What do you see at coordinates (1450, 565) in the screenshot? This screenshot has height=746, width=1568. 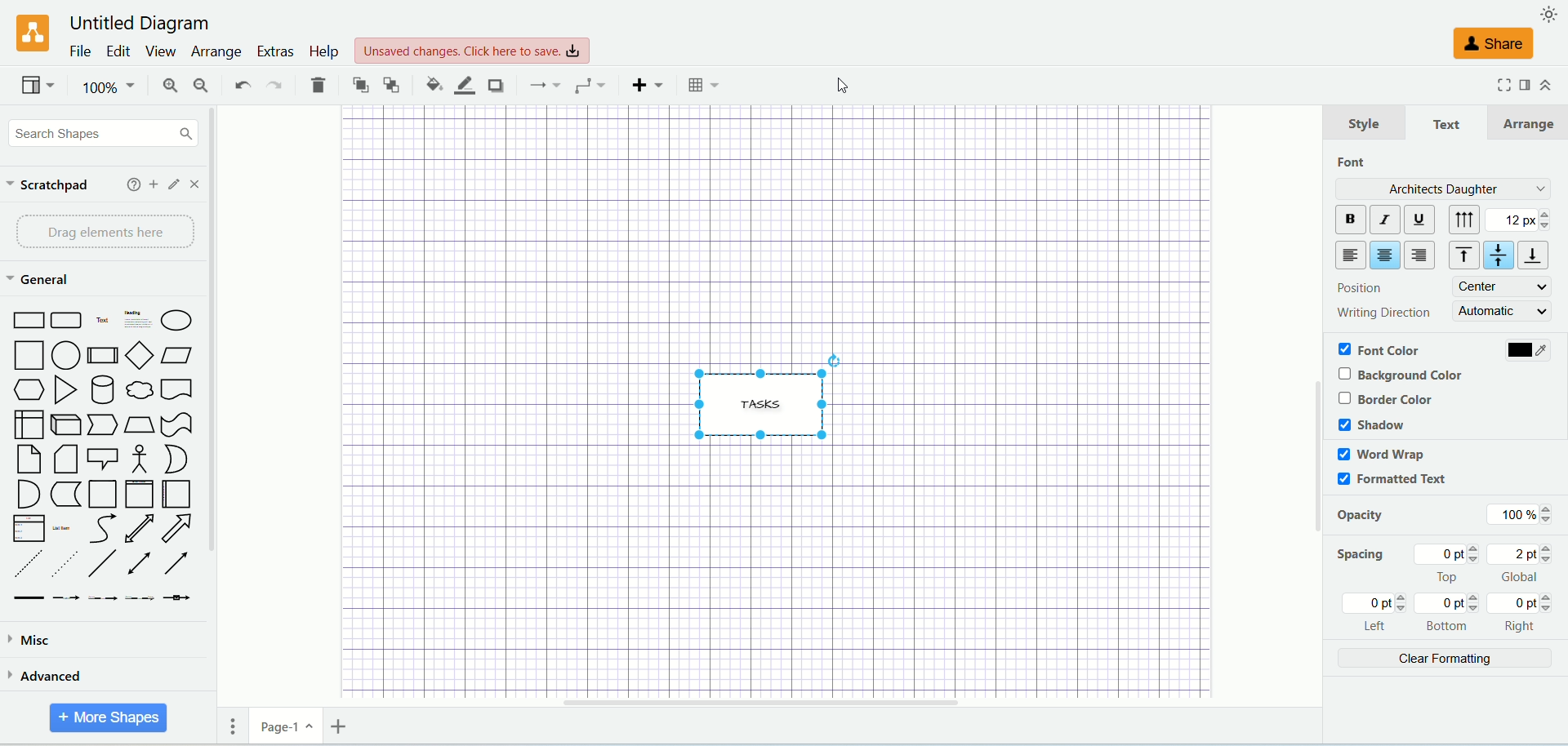 I see `top` at bounding box center [1450, 565].